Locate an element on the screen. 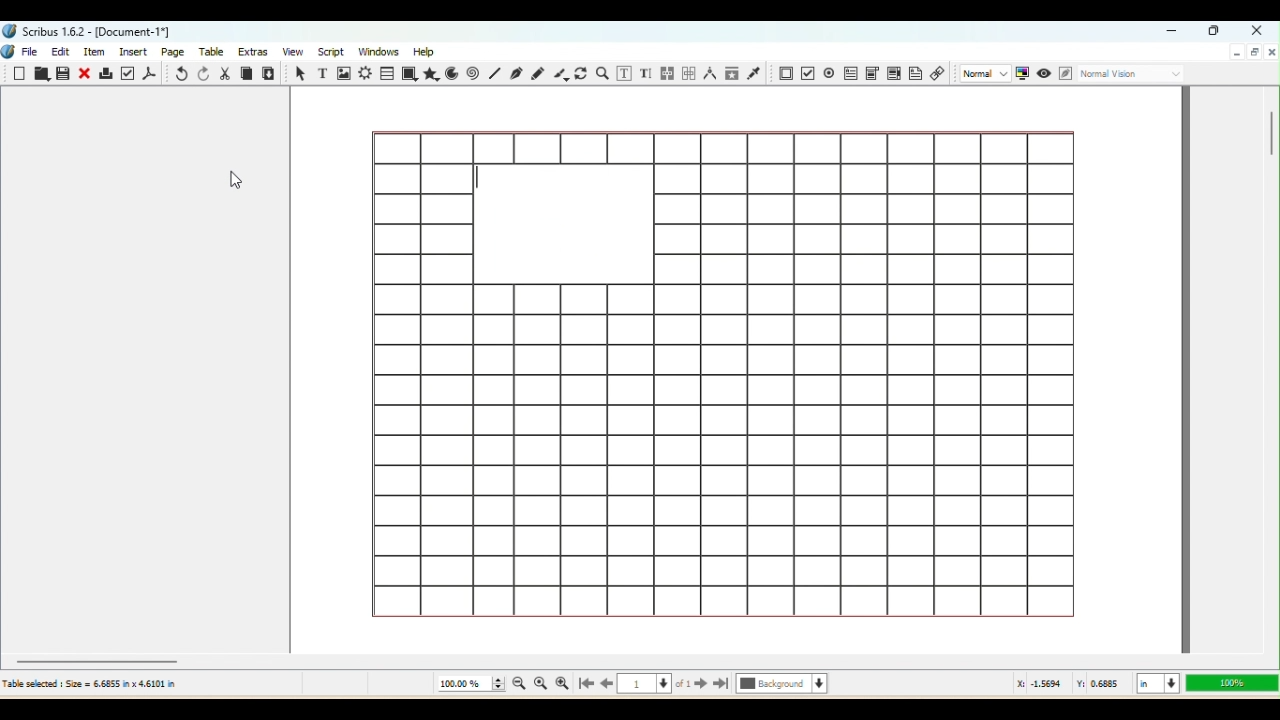  Item is located at coordinates (98, 52).